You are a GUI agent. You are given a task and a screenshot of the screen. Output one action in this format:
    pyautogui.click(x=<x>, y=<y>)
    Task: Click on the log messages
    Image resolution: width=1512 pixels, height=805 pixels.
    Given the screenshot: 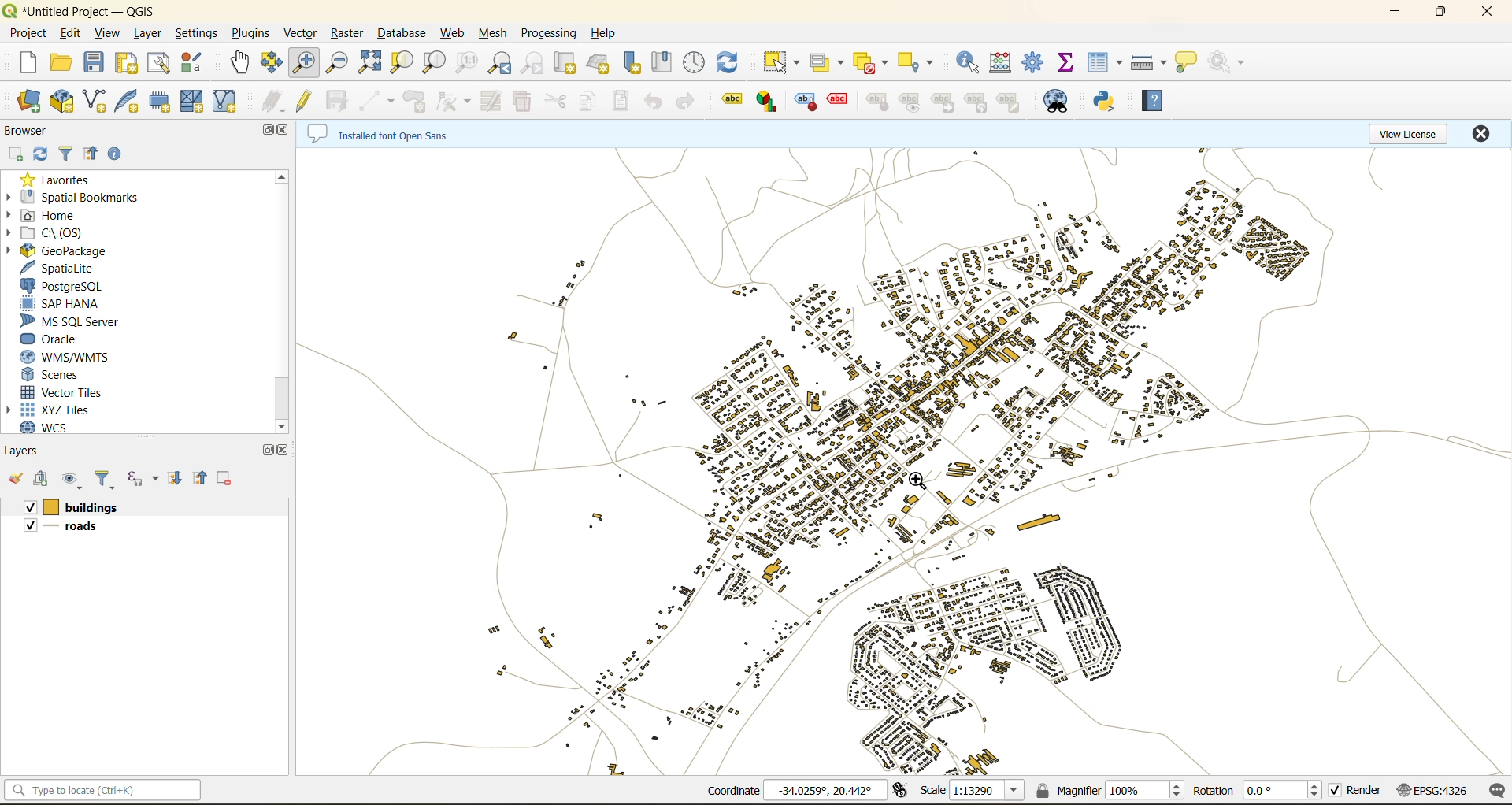 What is the action you would take?
    pyautogui.click(x=1499, y=791)
    